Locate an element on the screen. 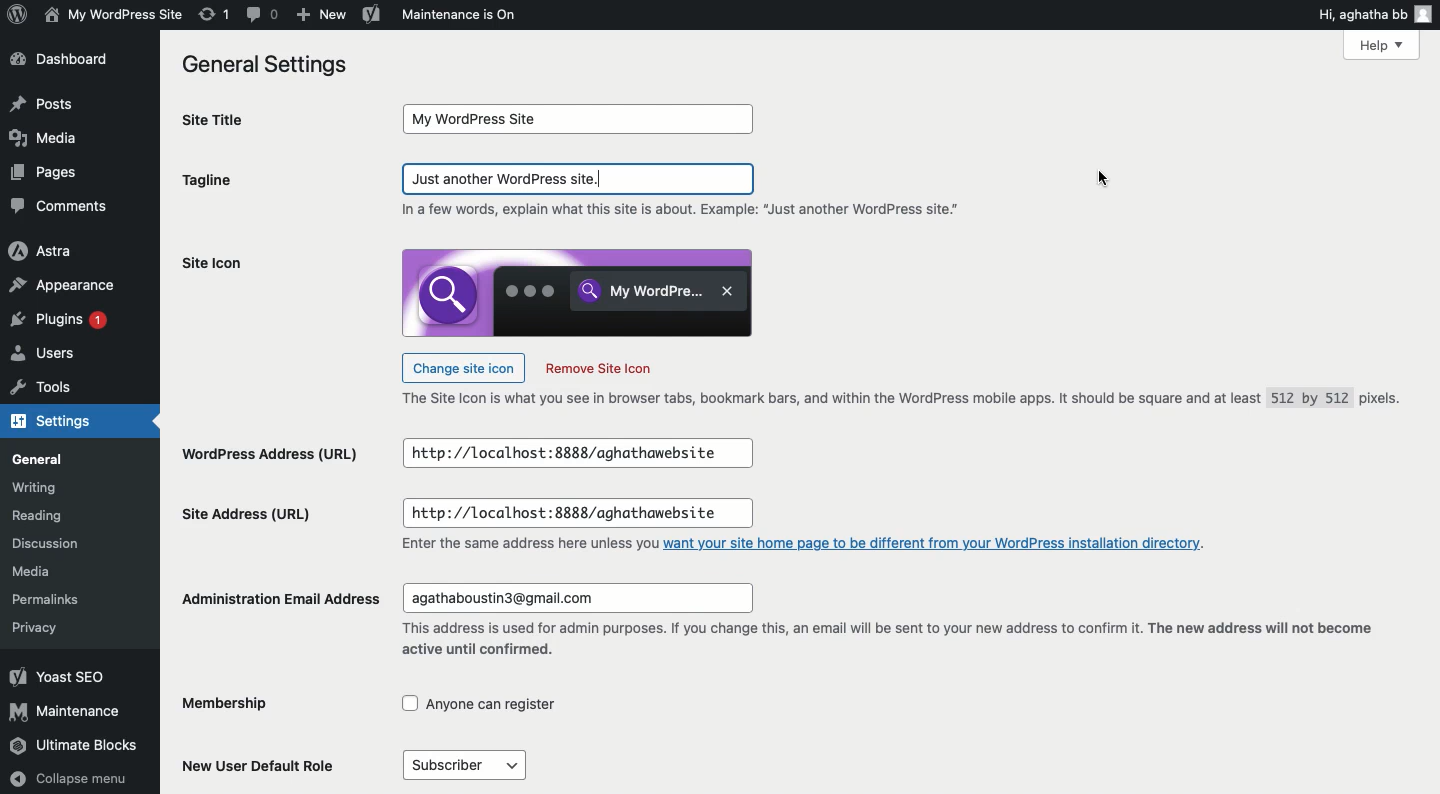 The width and height of the screenshot is (1440, 794). icon image is located at coordinates (577, 292).